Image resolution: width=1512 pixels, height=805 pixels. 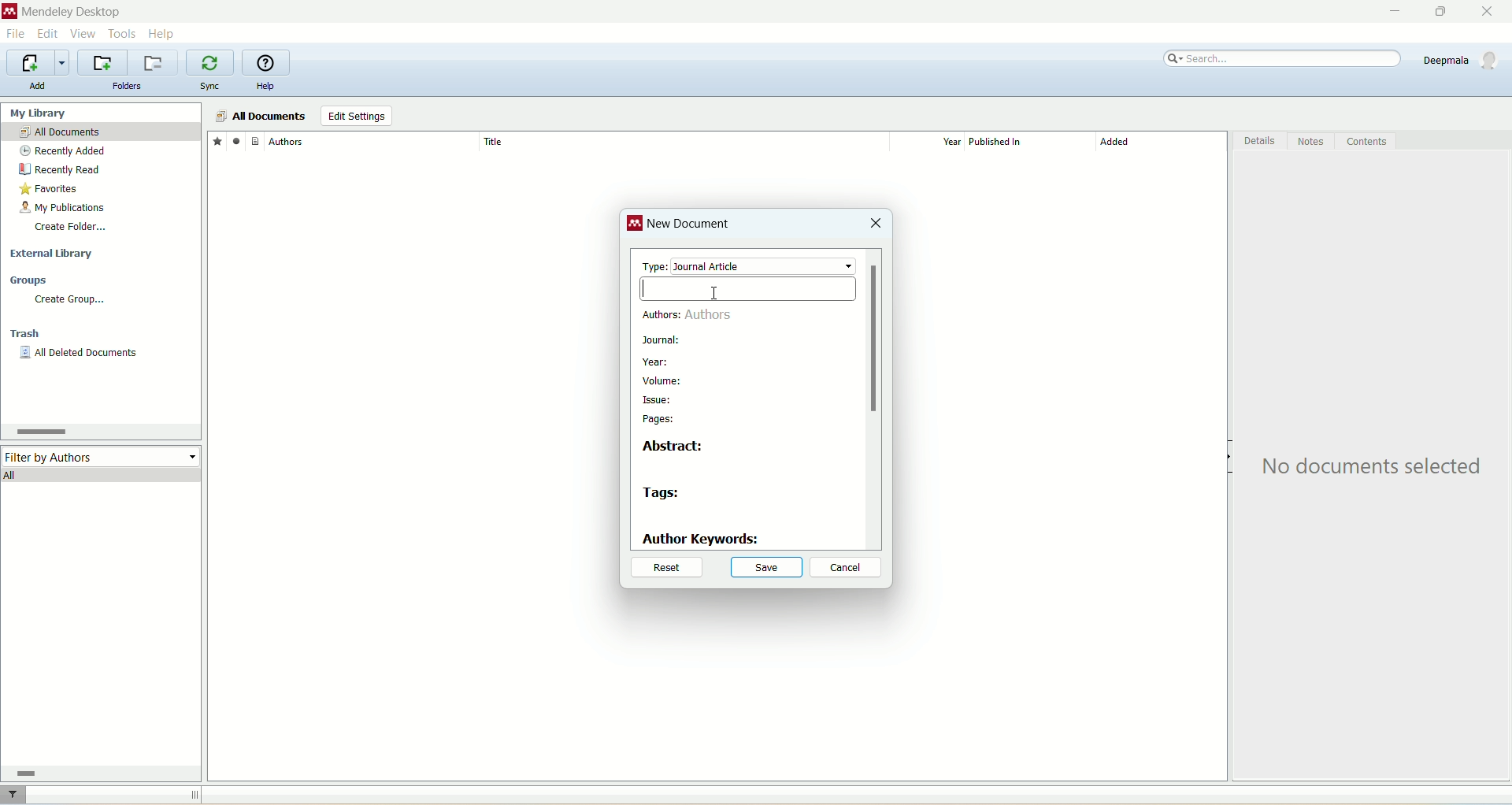 I want to click on filter, so click(x=15, y=795).